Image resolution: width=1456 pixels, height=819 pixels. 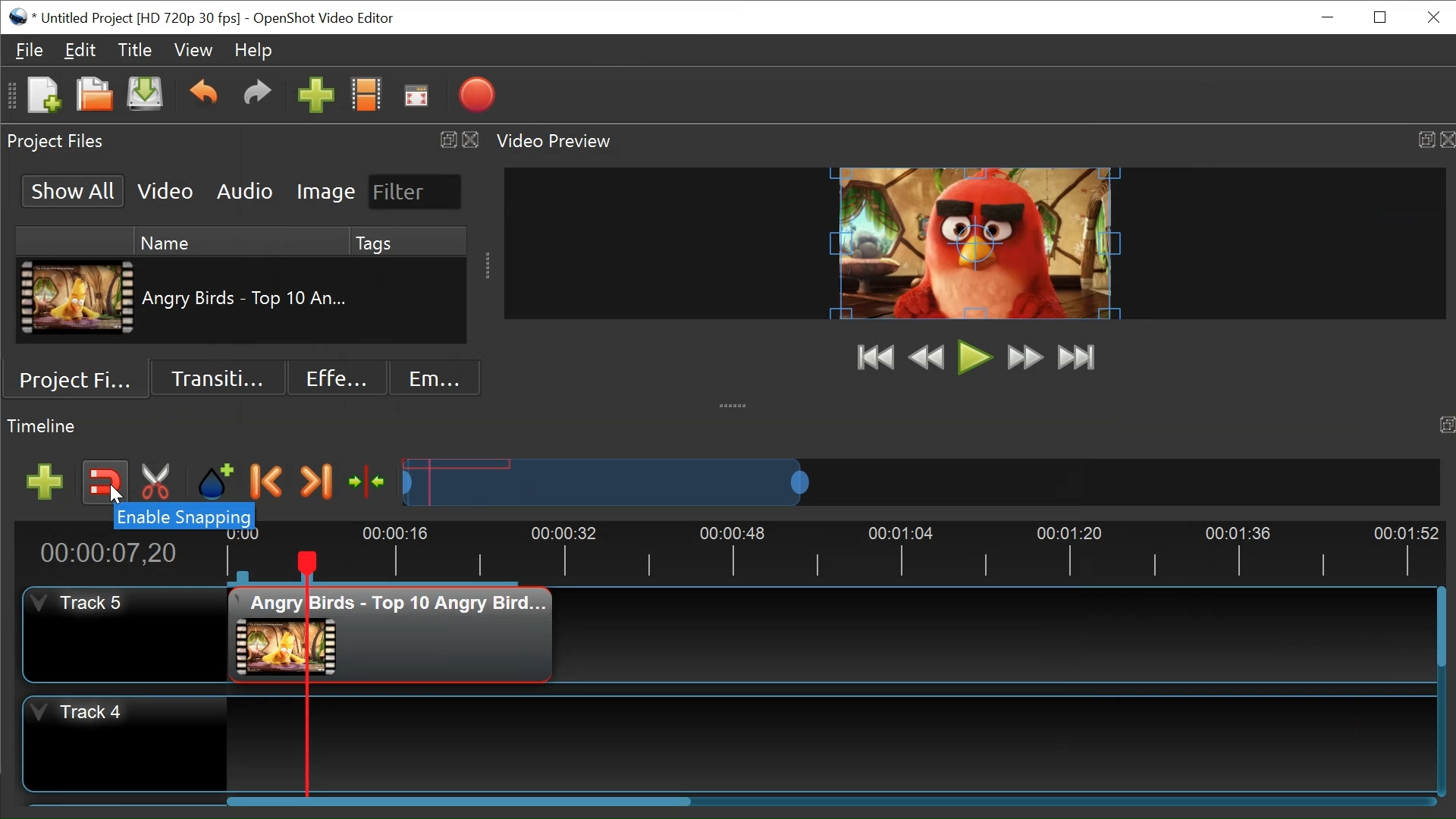 I want to click on minimize, so click(x=1330, y=19).